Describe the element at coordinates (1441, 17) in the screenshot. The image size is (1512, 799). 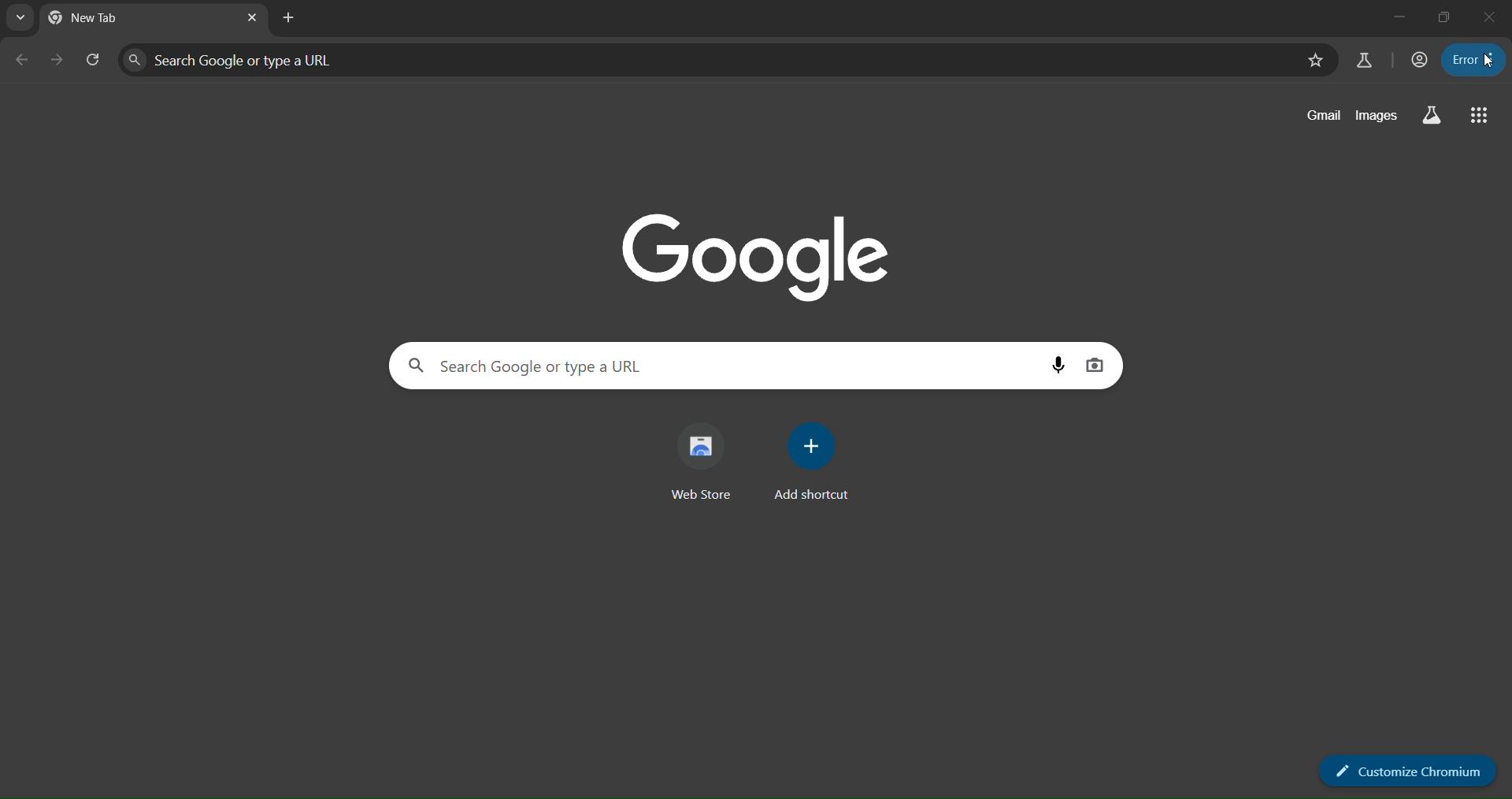
I see `restore down` at that location.